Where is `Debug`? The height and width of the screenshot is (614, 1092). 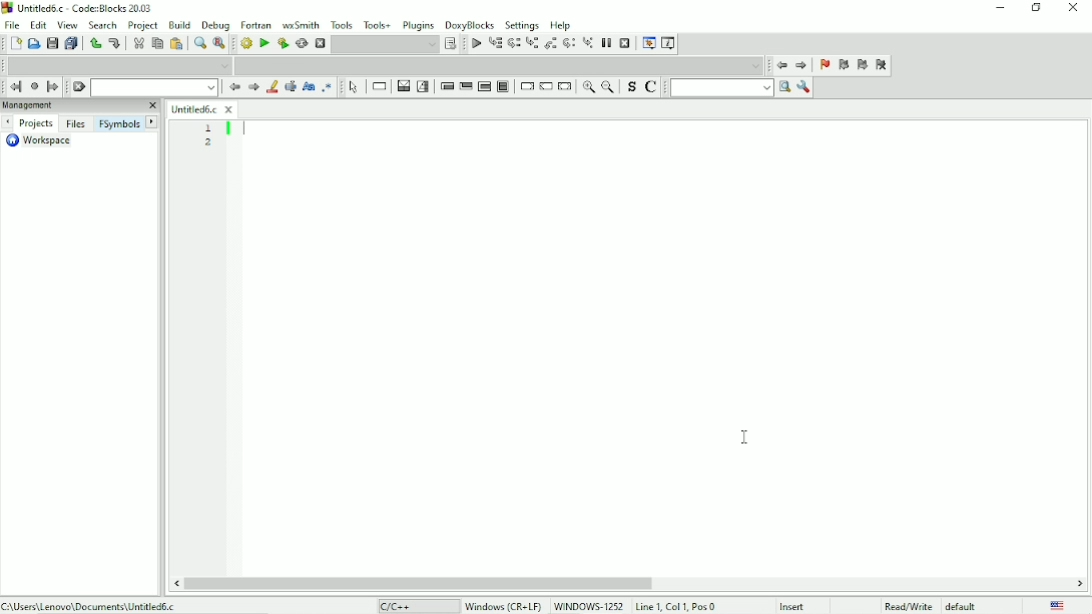
Debug is located at coordinates (216, 26).